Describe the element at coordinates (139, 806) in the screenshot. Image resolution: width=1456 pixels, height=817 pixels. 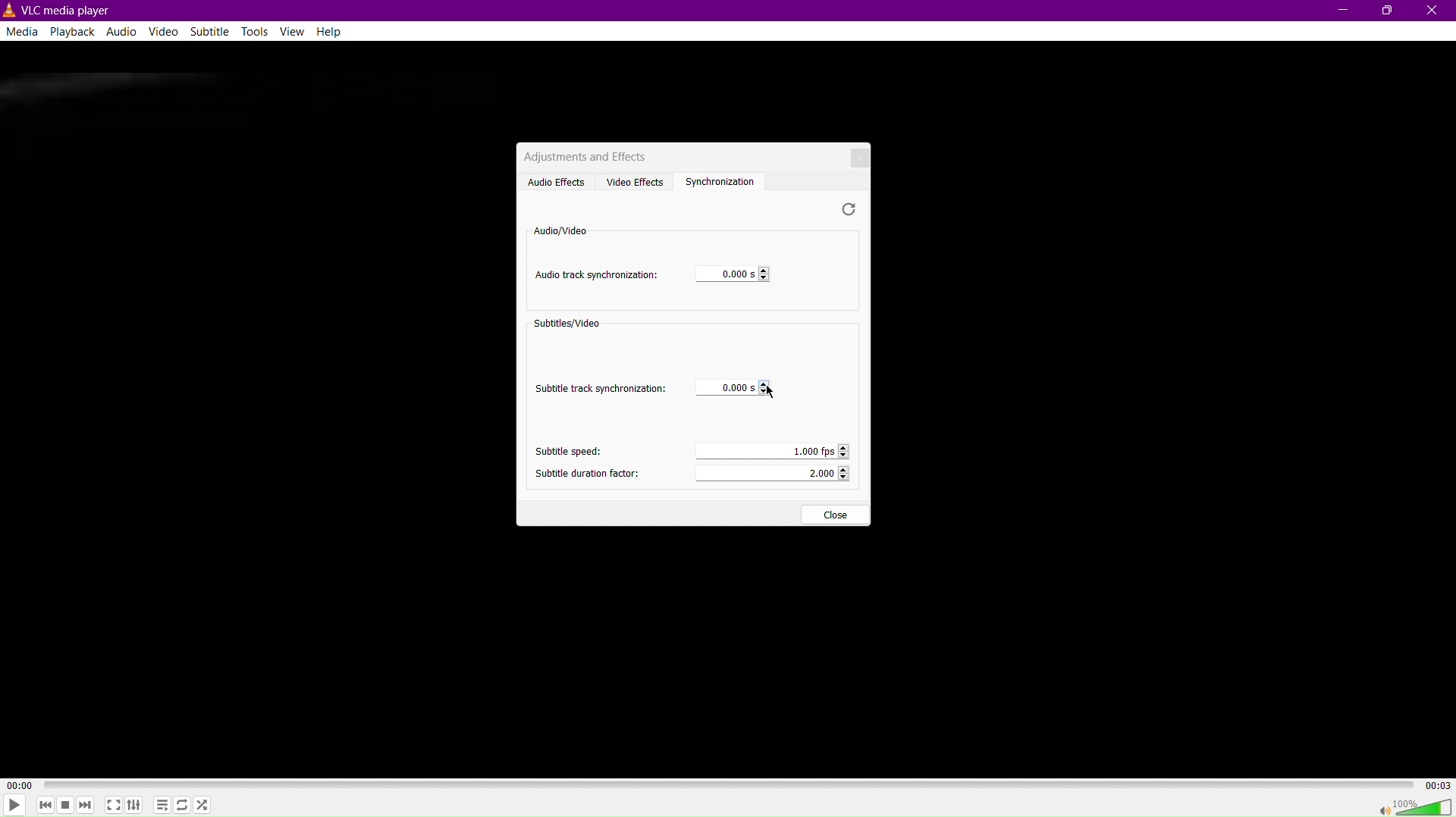
I see `Extended Settings` at that location.